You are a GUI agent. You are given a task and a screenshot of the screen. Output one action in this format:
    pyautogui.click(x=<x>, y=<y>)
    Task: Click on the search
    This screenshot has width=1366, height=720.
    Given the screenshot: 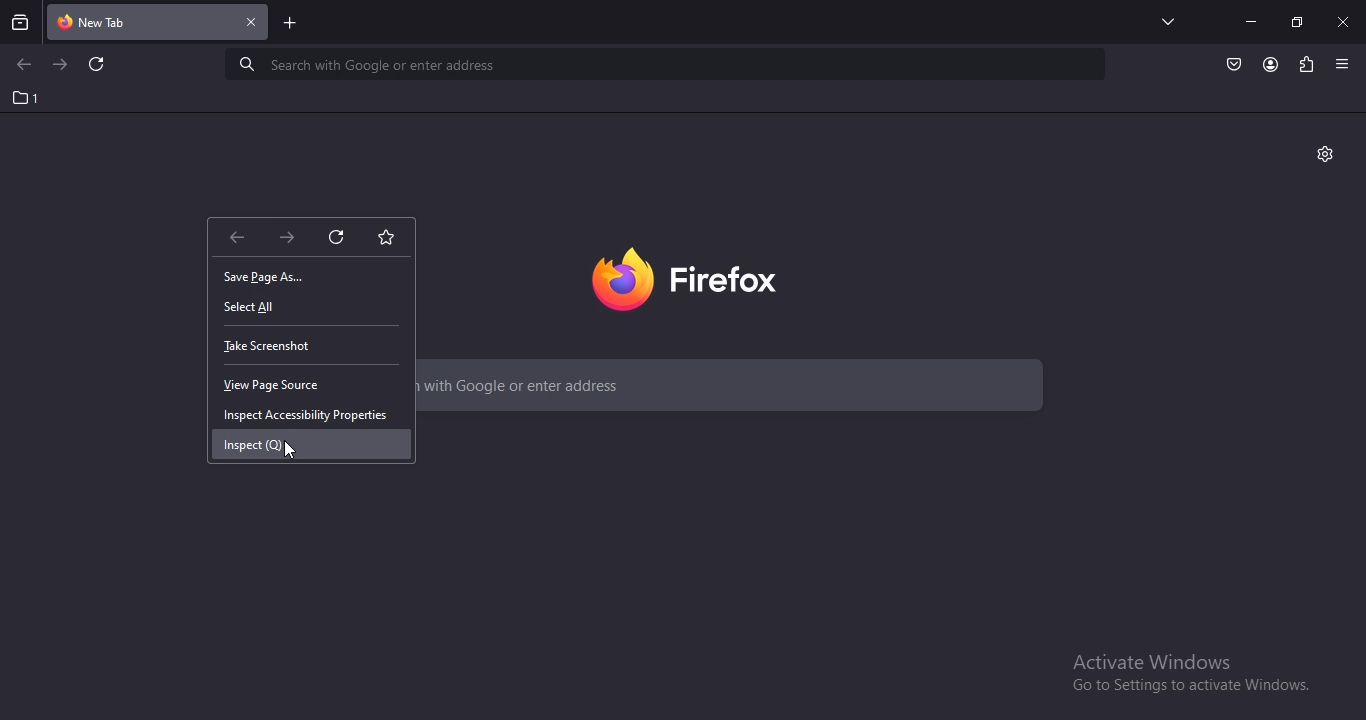 What is the action you would take?
    pyautogui.click(x=739, y=388)
    